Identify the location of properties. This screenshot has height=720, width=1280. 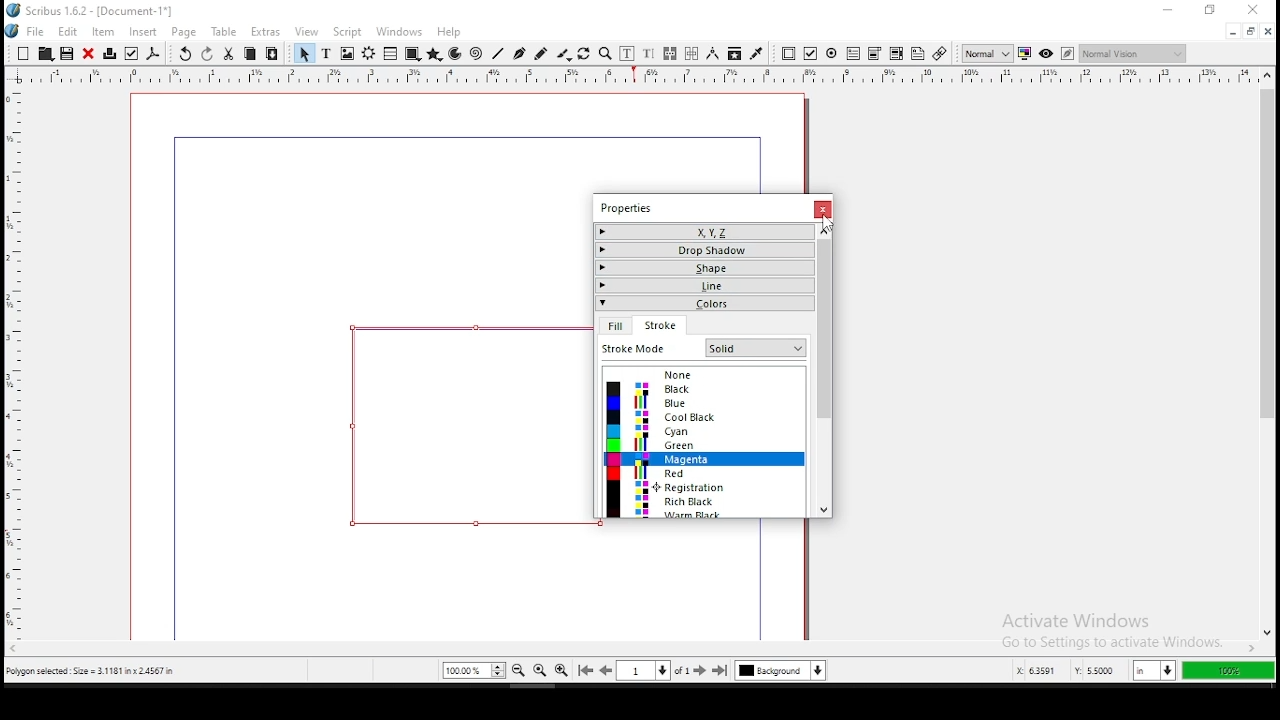
(625, 208).